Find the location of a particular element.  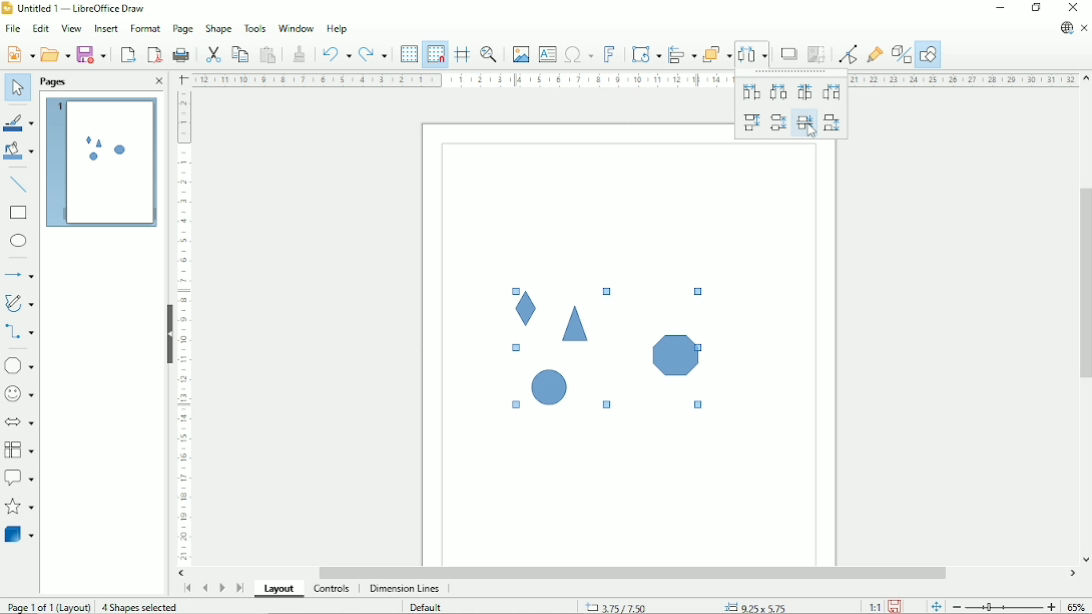

Horizontally spacing is located at coordinates (804, 91).